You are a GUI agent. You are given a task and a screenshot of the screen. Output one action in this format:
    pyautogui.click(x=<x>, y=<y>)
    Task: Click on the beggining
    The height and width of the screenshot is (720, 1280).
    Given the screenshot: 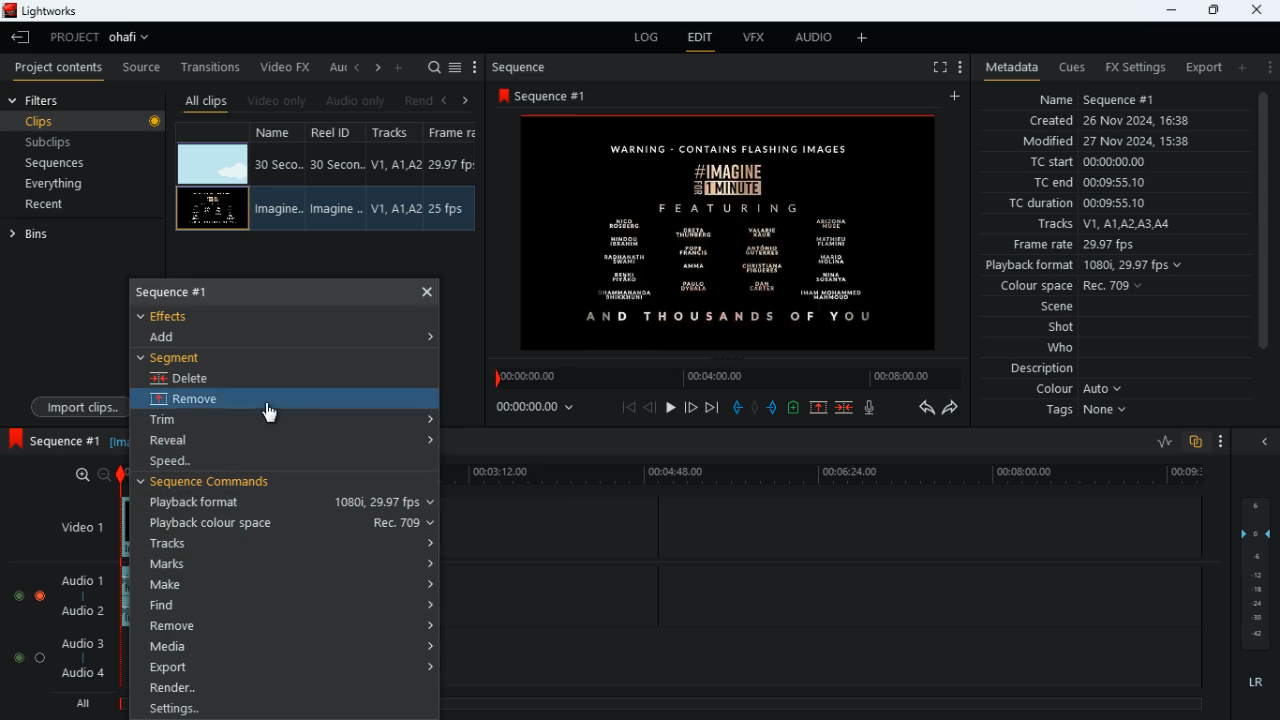 What is the action you would take?
    pyautogui.click(x=628, y=408)
    